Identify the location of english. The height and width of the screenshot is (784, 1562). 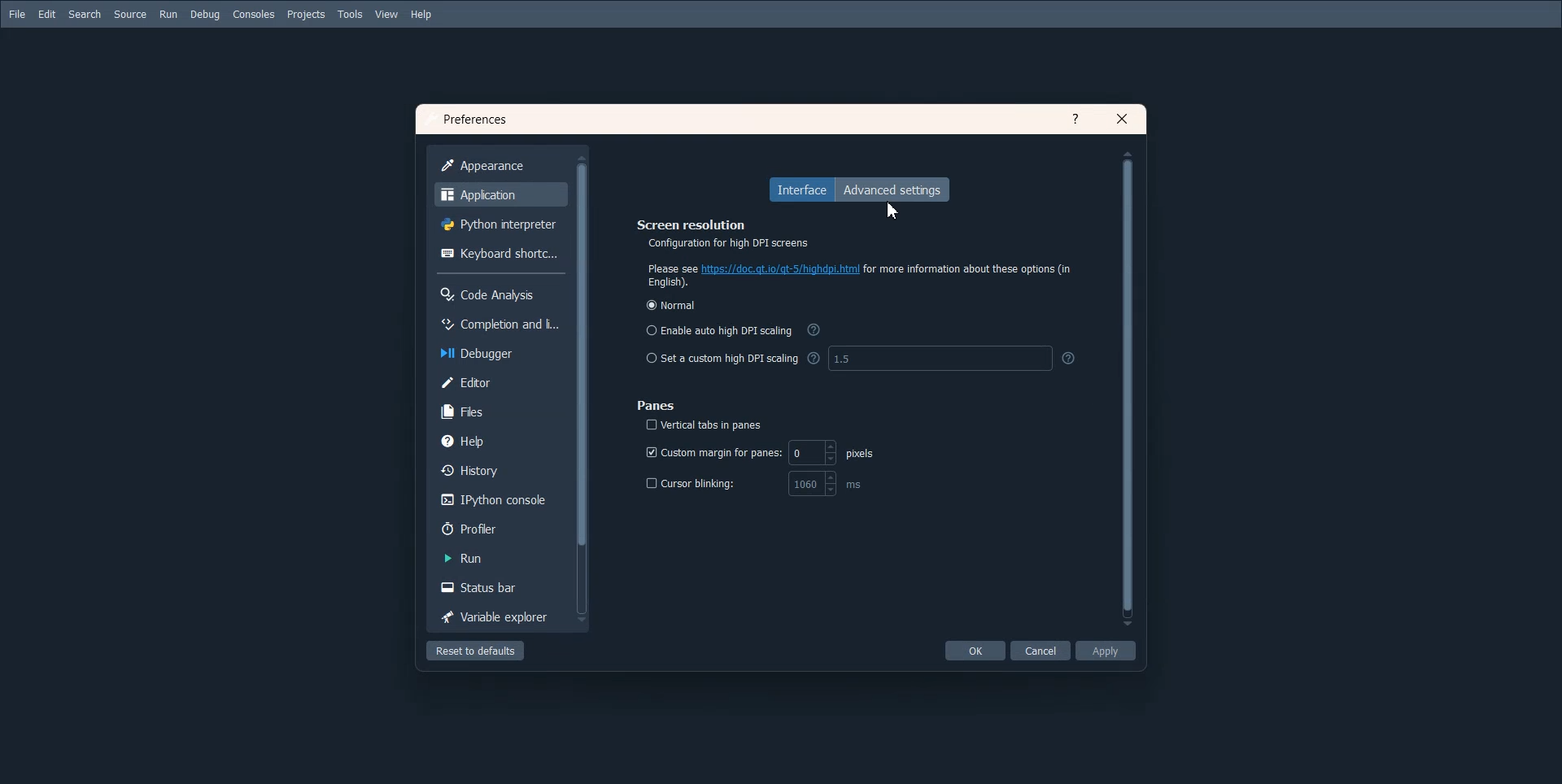
(669, 283).